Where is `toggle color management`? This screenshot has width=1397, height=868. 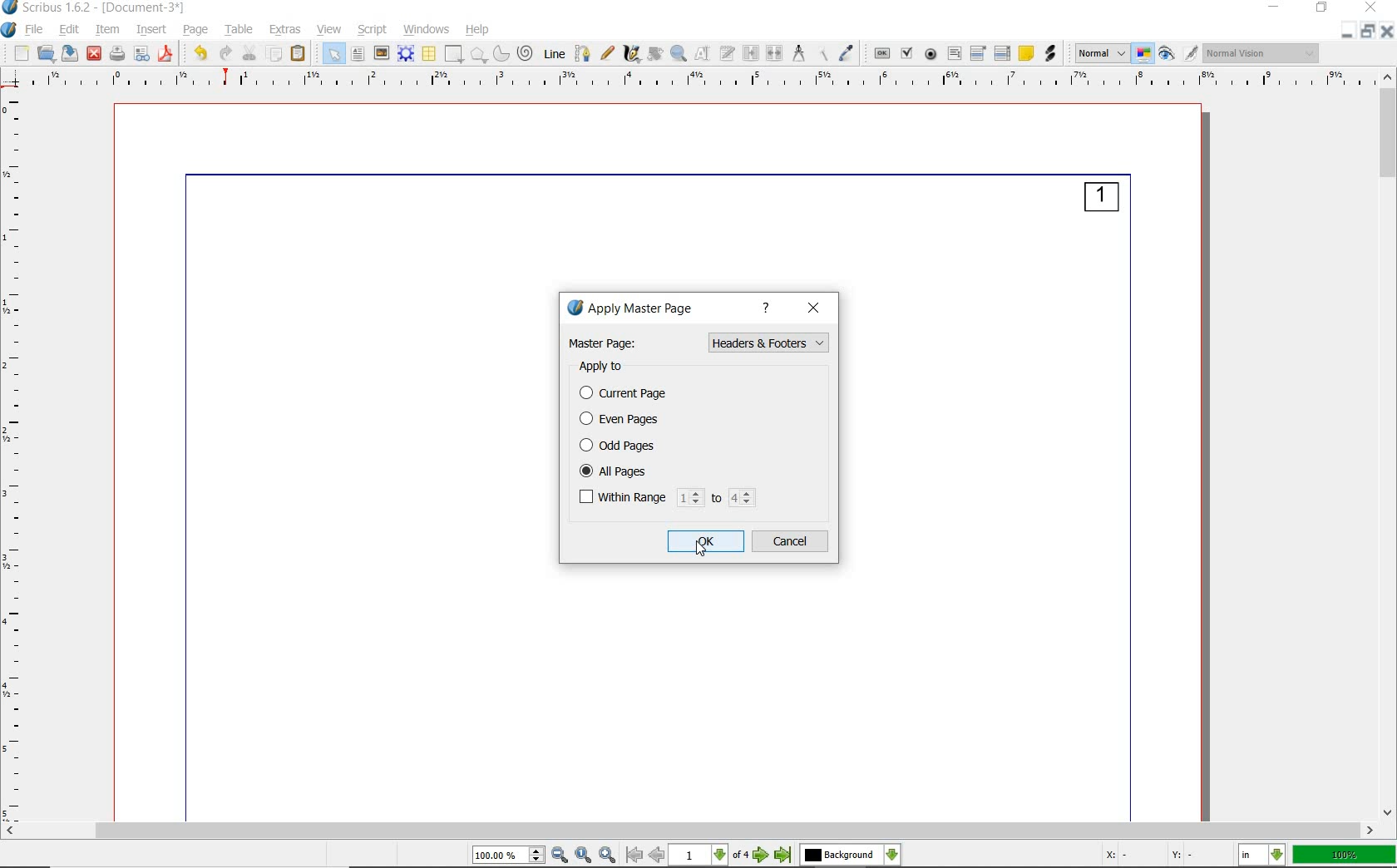 toggle color management is located at coordinates (1145, 53).